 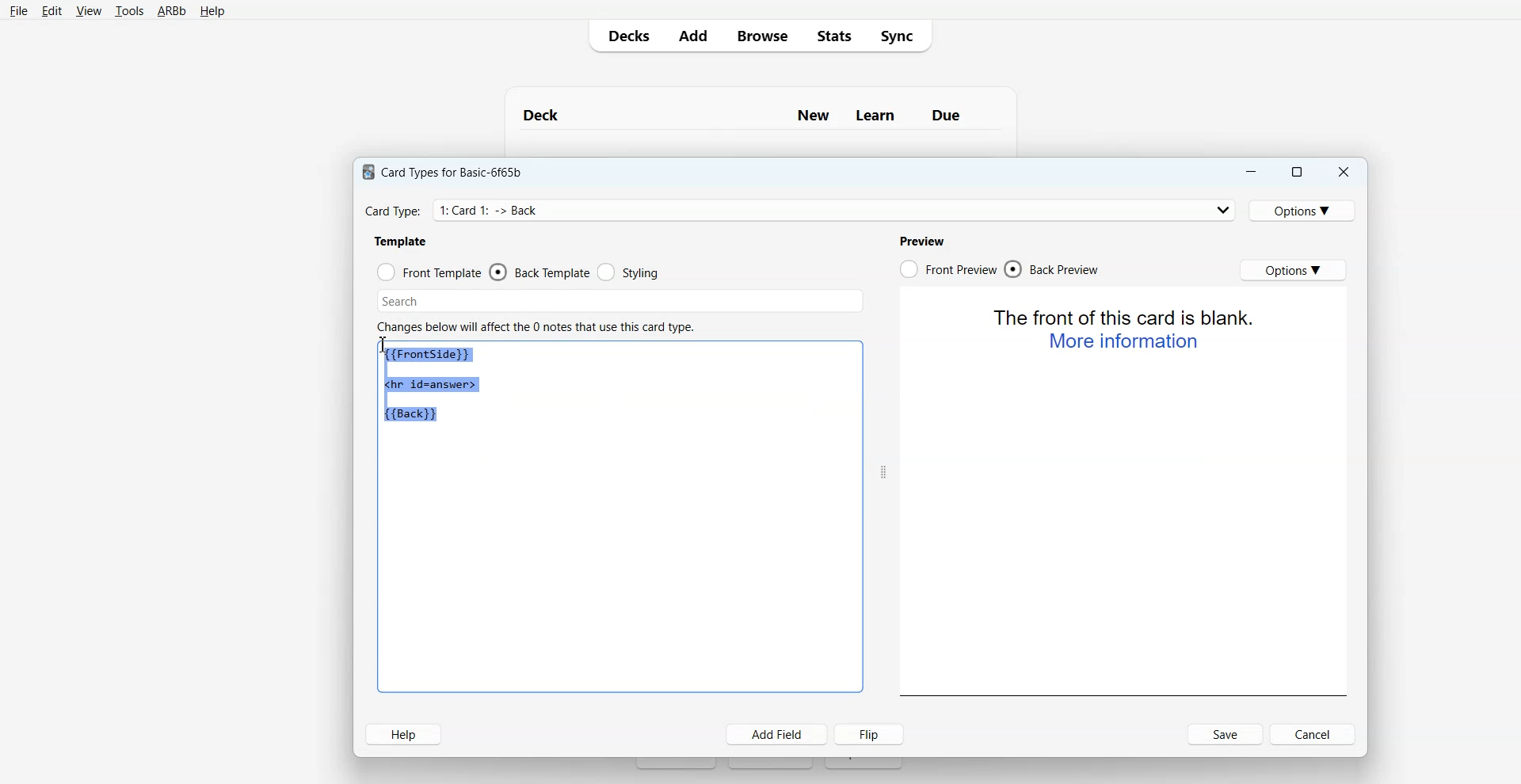 I want to click on Cancel, so click(x=1313, y=734).